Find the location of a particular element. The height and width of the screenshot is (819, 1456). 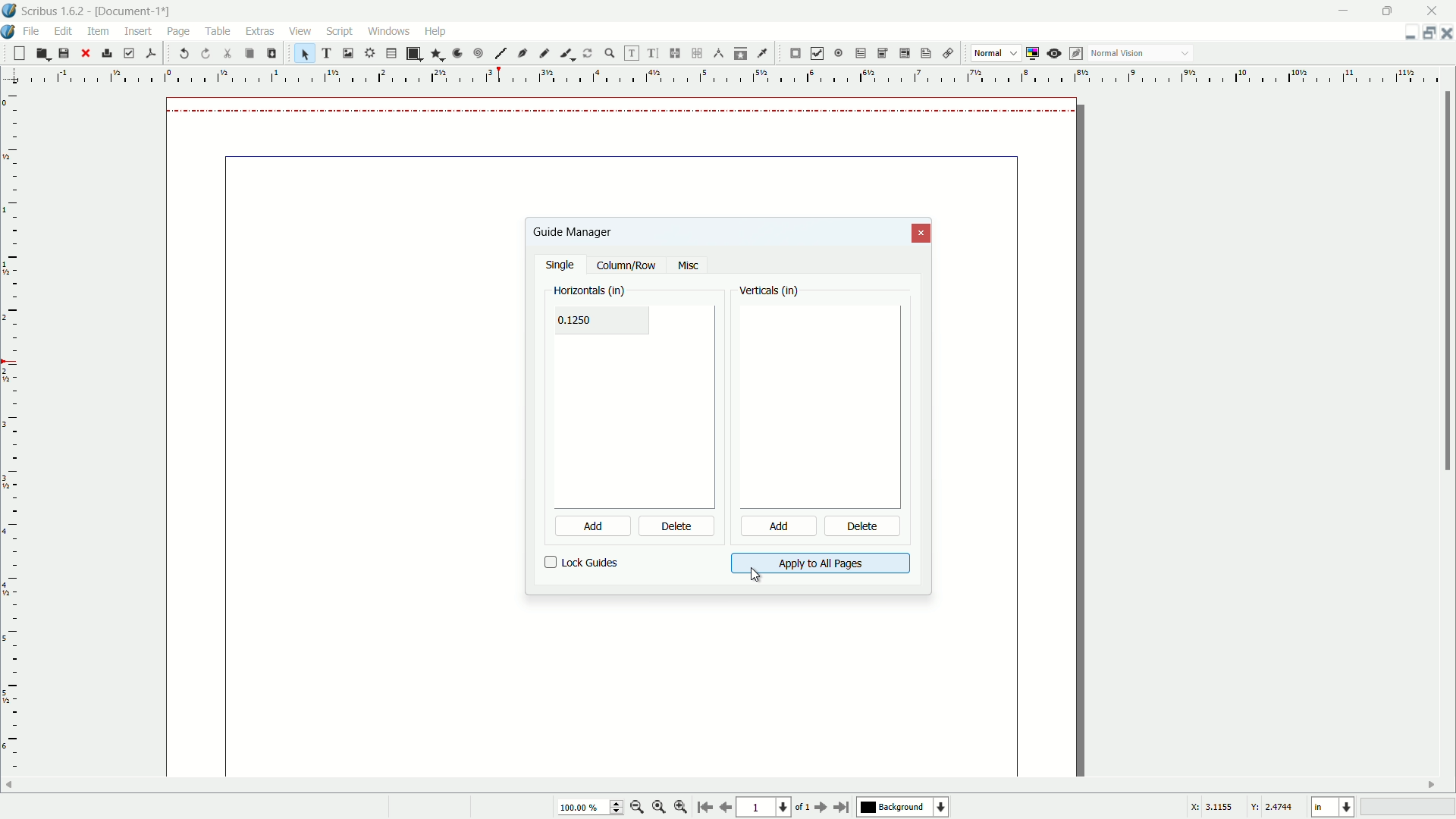

close document is located at coordinates (1447, 33).